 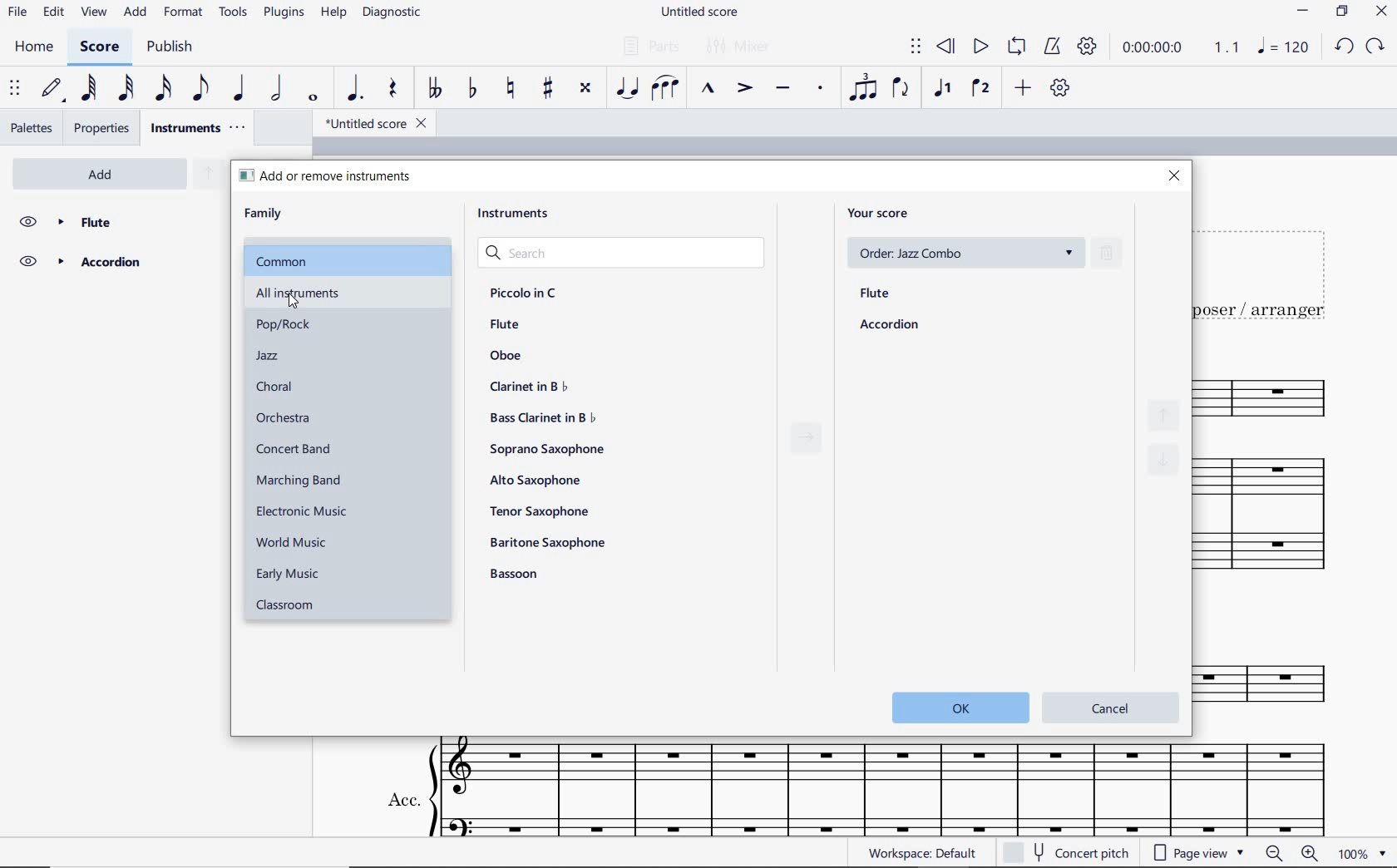 What do you see at coordinates (1284, 49) in the screenshot?
I see `NOTE` at bounding box center [1284, 49].